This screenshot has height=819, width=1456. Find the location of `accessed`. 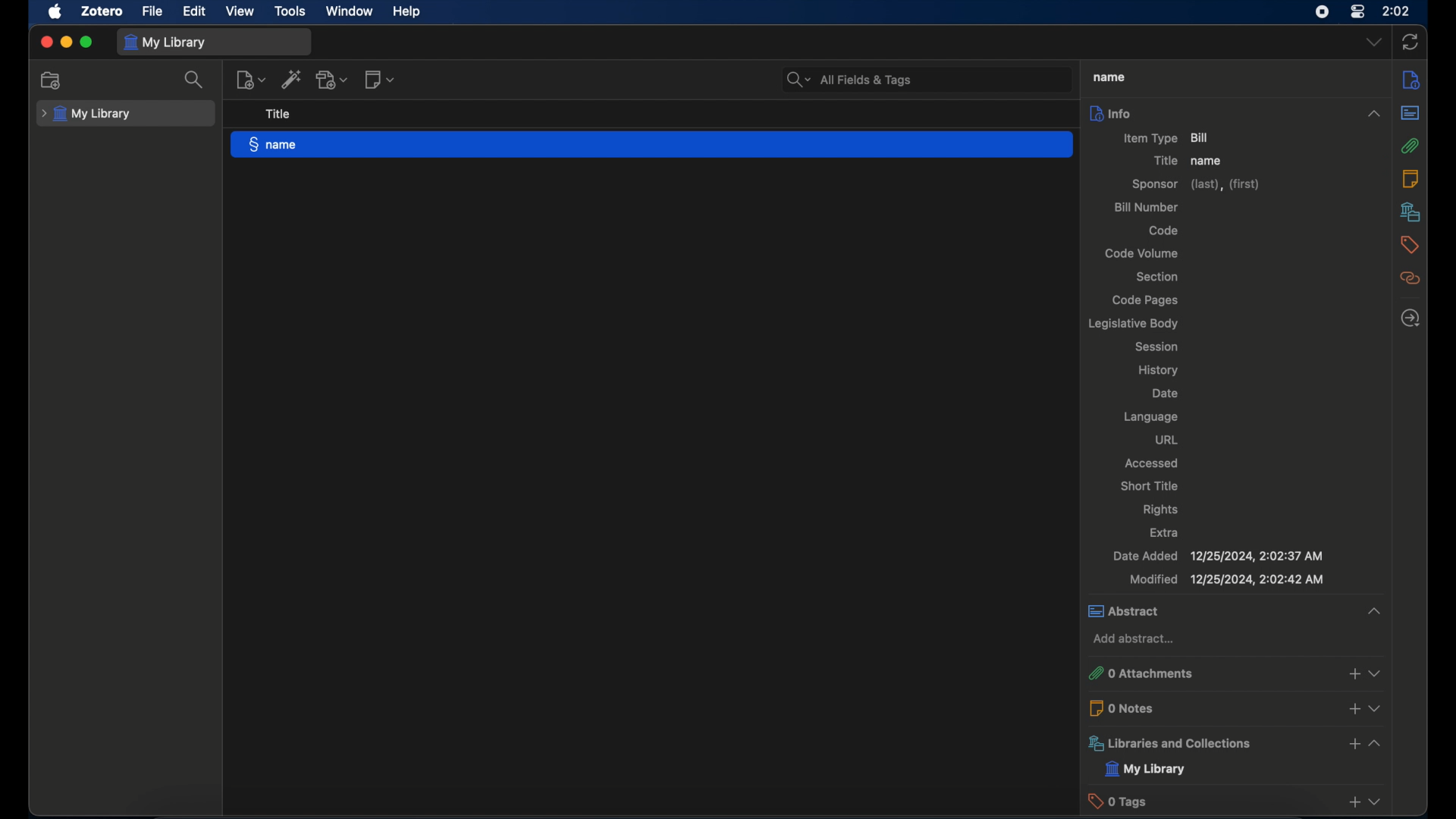

accessed is located at coordinates (1150, 463).